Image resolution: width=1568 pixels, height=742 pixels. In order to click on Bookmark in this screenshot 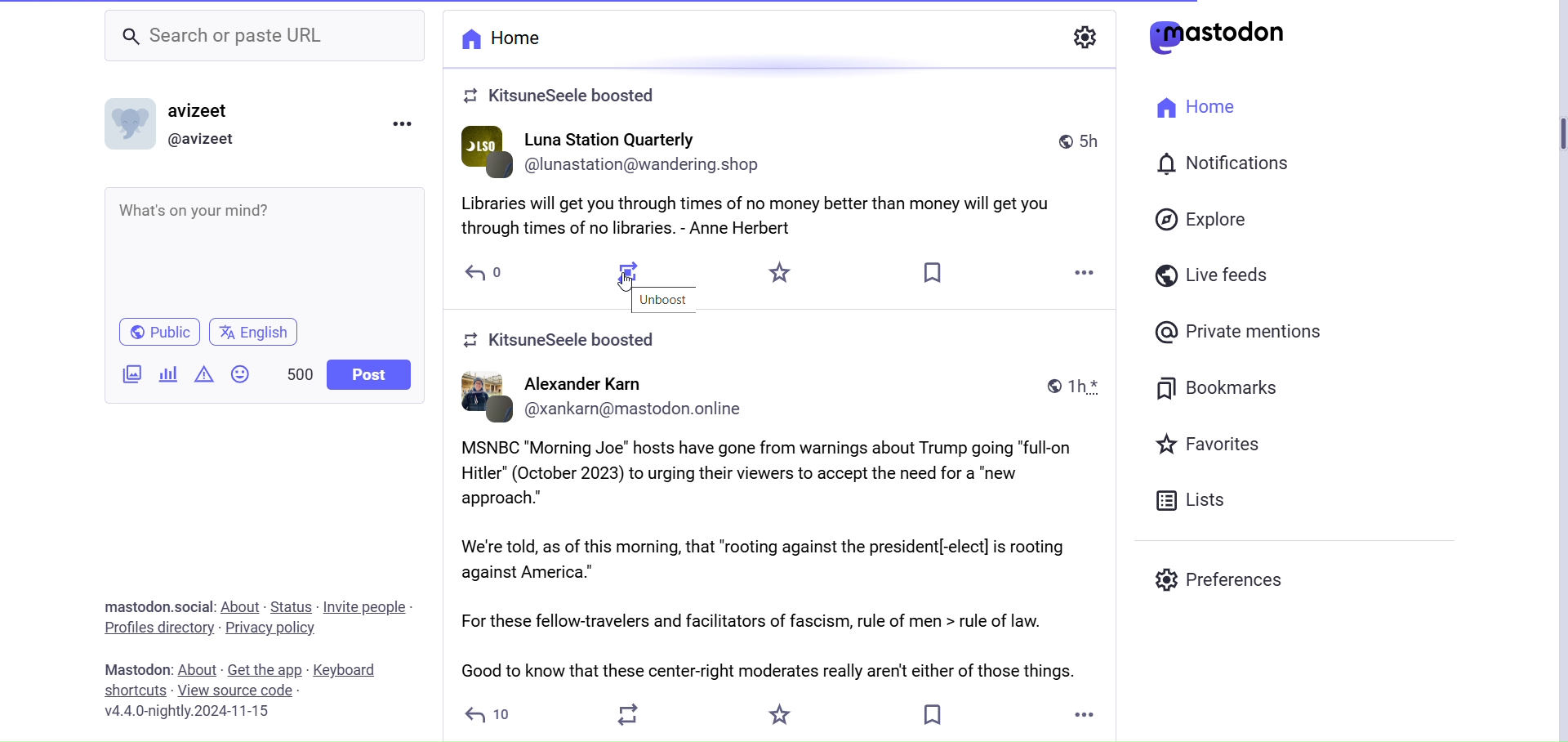, I will do `click(934, 271)`.